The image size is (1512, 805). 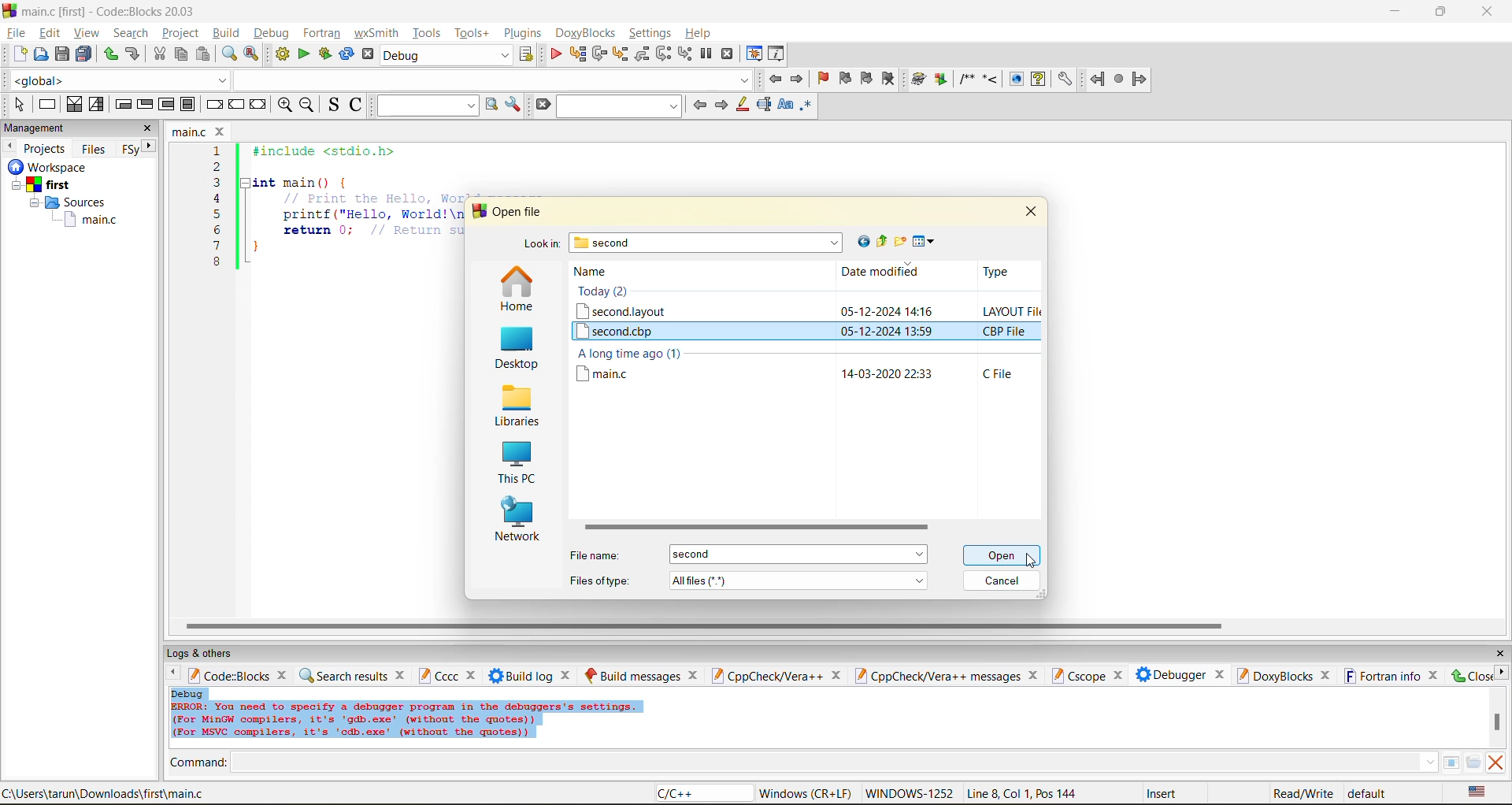 I want to click on }, so click(x=256, y=249).